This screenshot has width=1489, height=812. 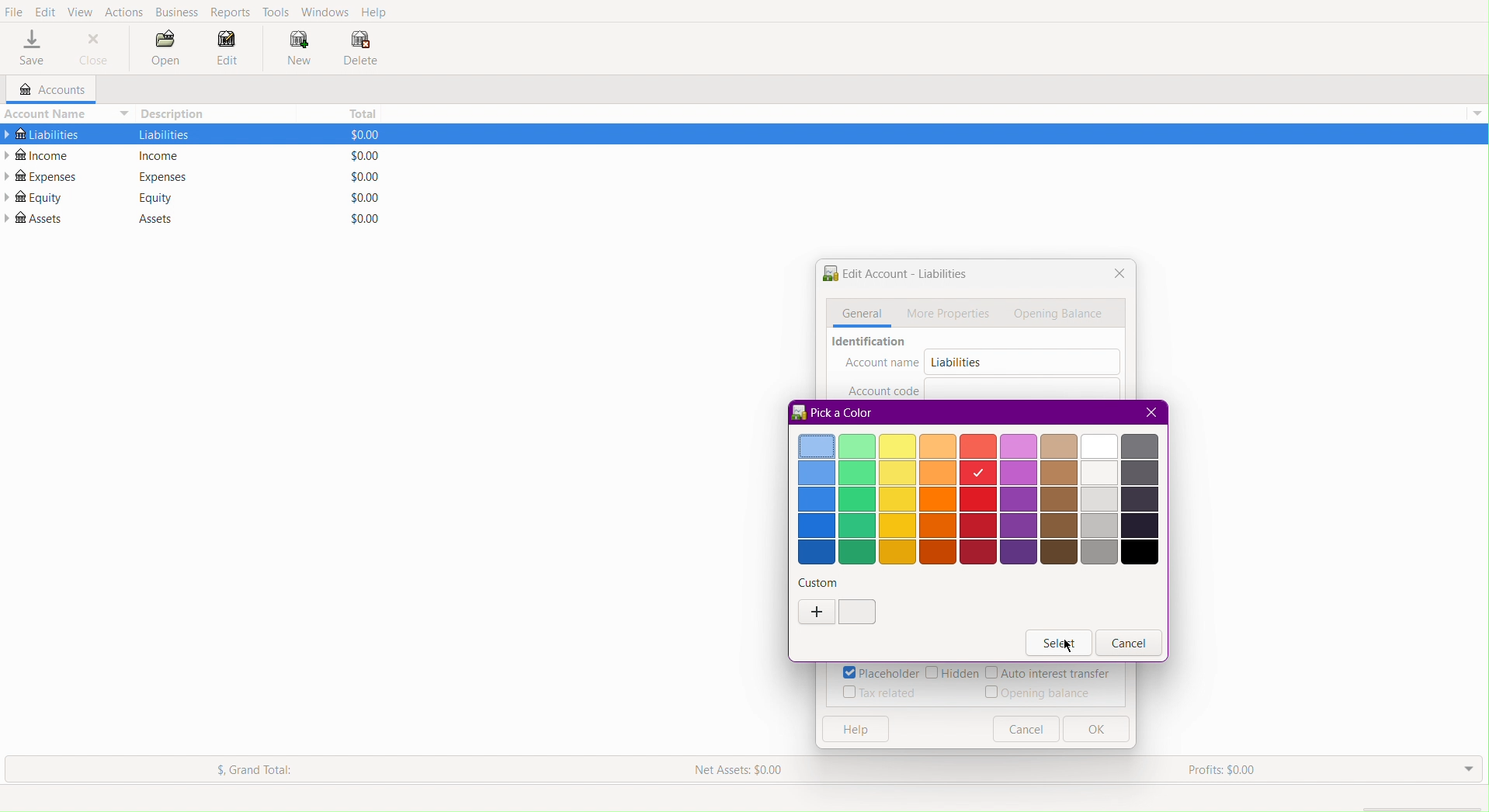 What do you see at coordinates (359, 111) in the screenshot?
I see `Total` at bounding box center [359, 111].